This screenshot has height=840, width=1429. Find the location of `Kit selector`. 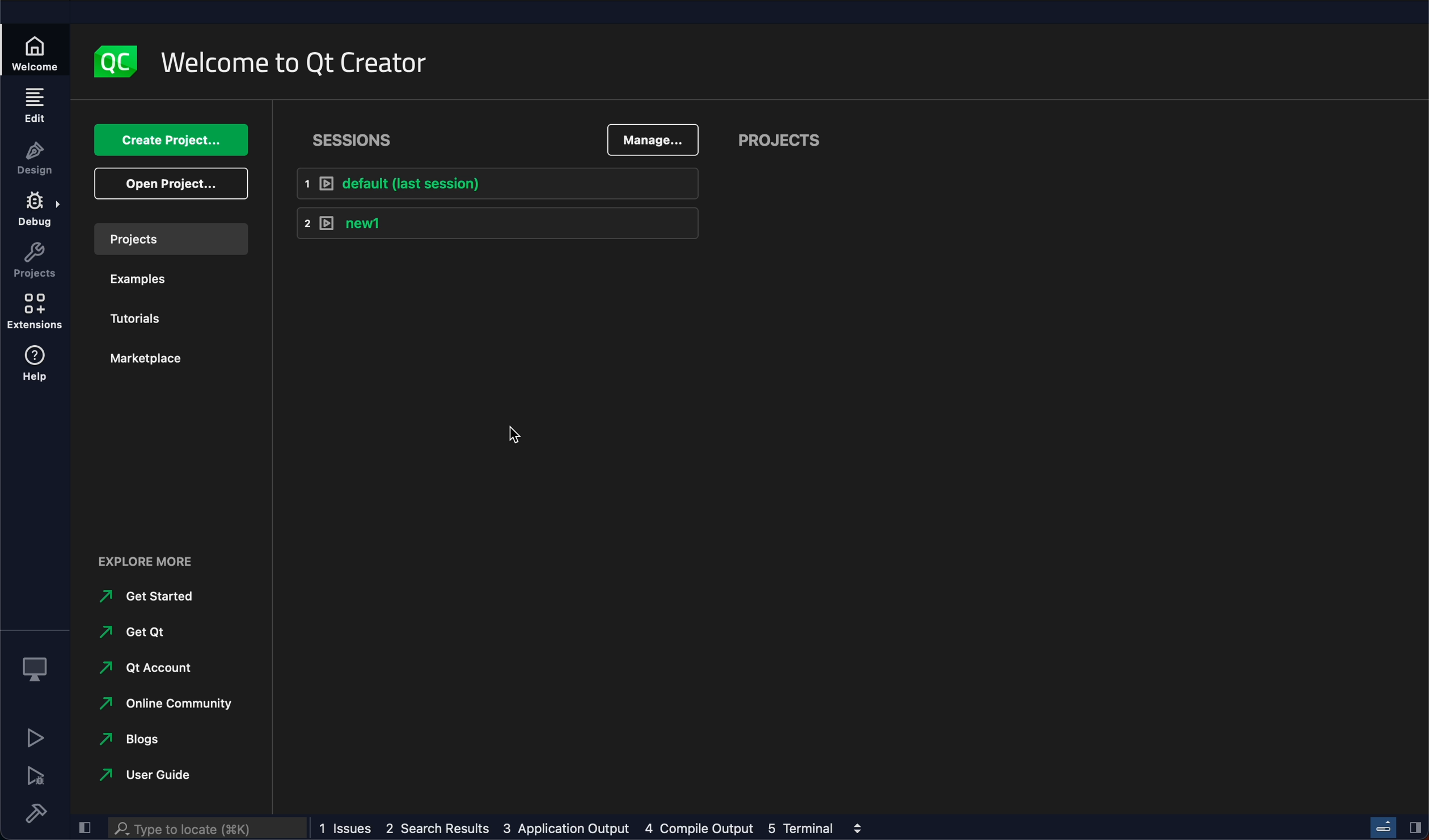

Kit selector is located at coordinates (34, 665).